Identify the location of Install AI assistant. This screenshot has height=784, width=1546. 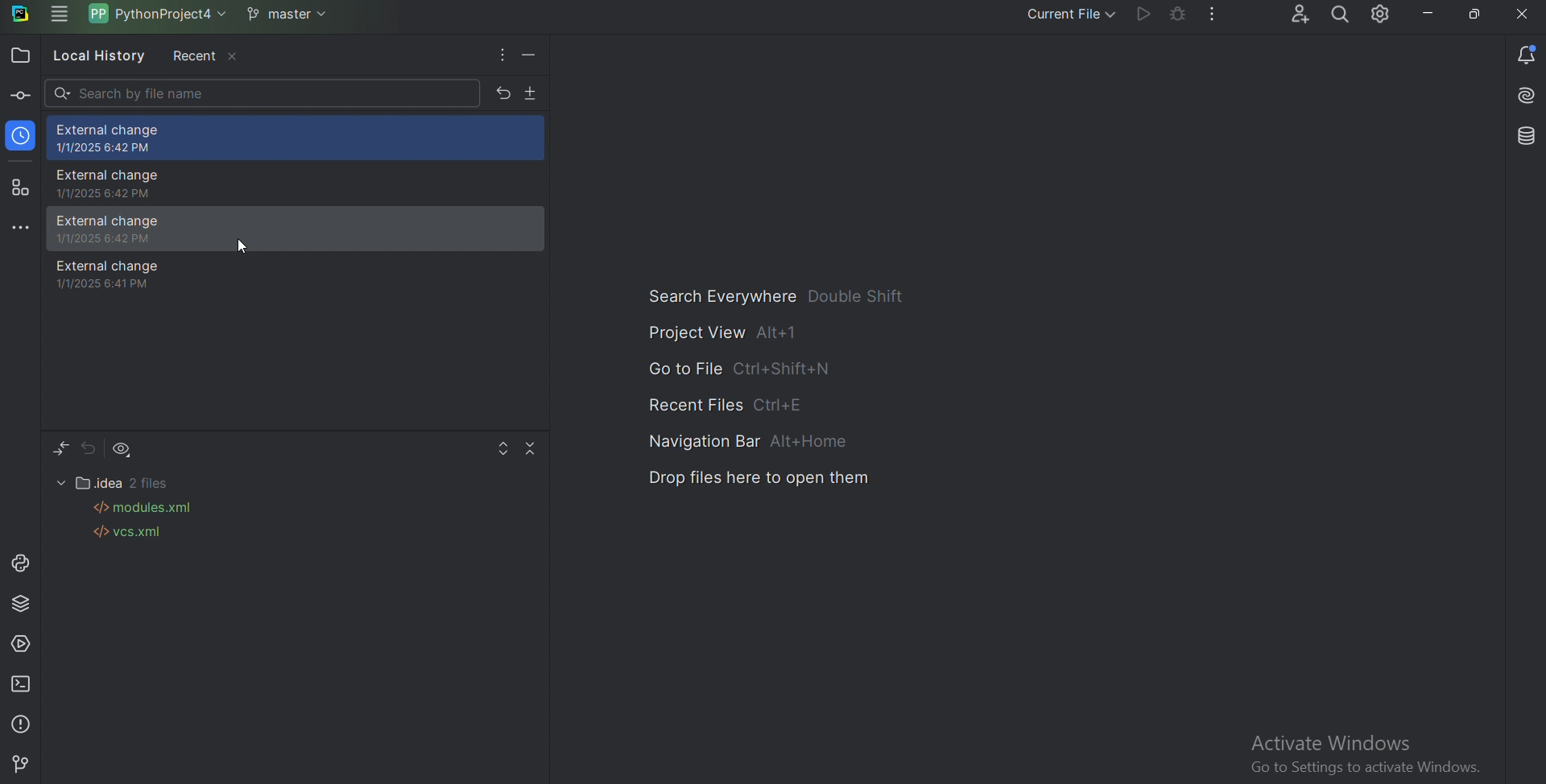
(1519, 95).